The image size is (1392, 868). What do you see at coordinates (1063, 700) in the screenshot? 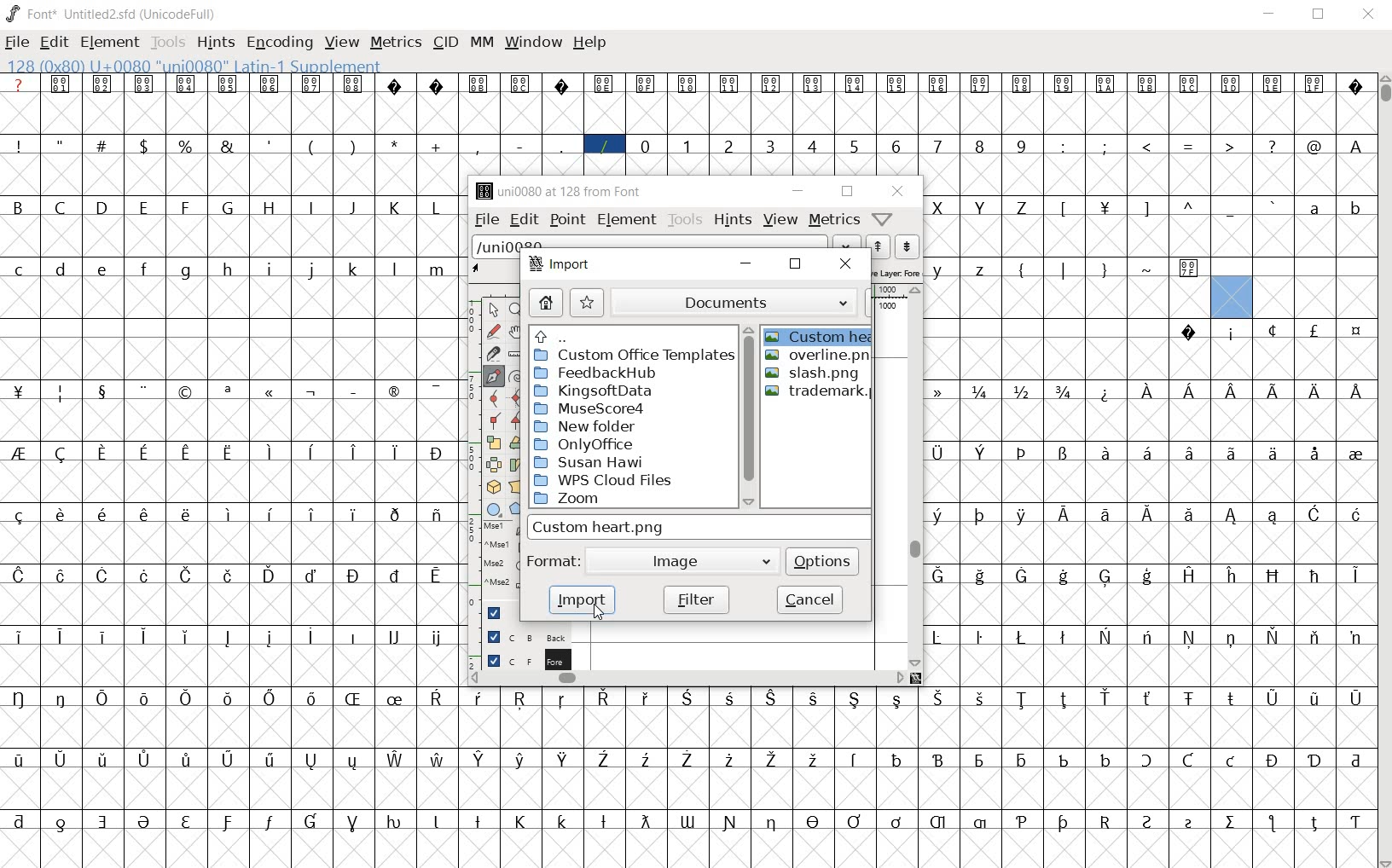
I see `glyph` at bounding box center [1063, 700].